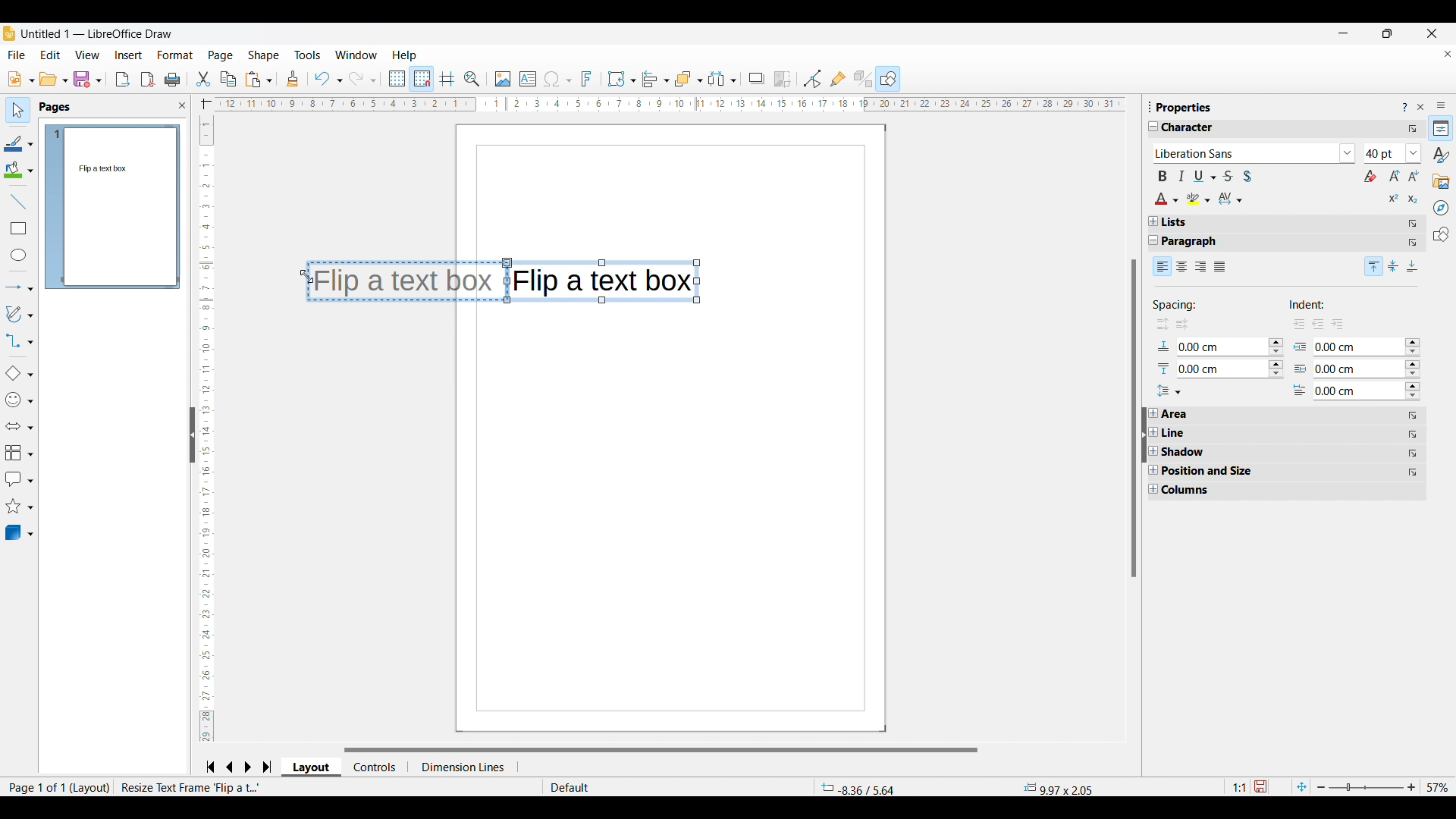  I want to click on Type in font options, so click(1245, 154).